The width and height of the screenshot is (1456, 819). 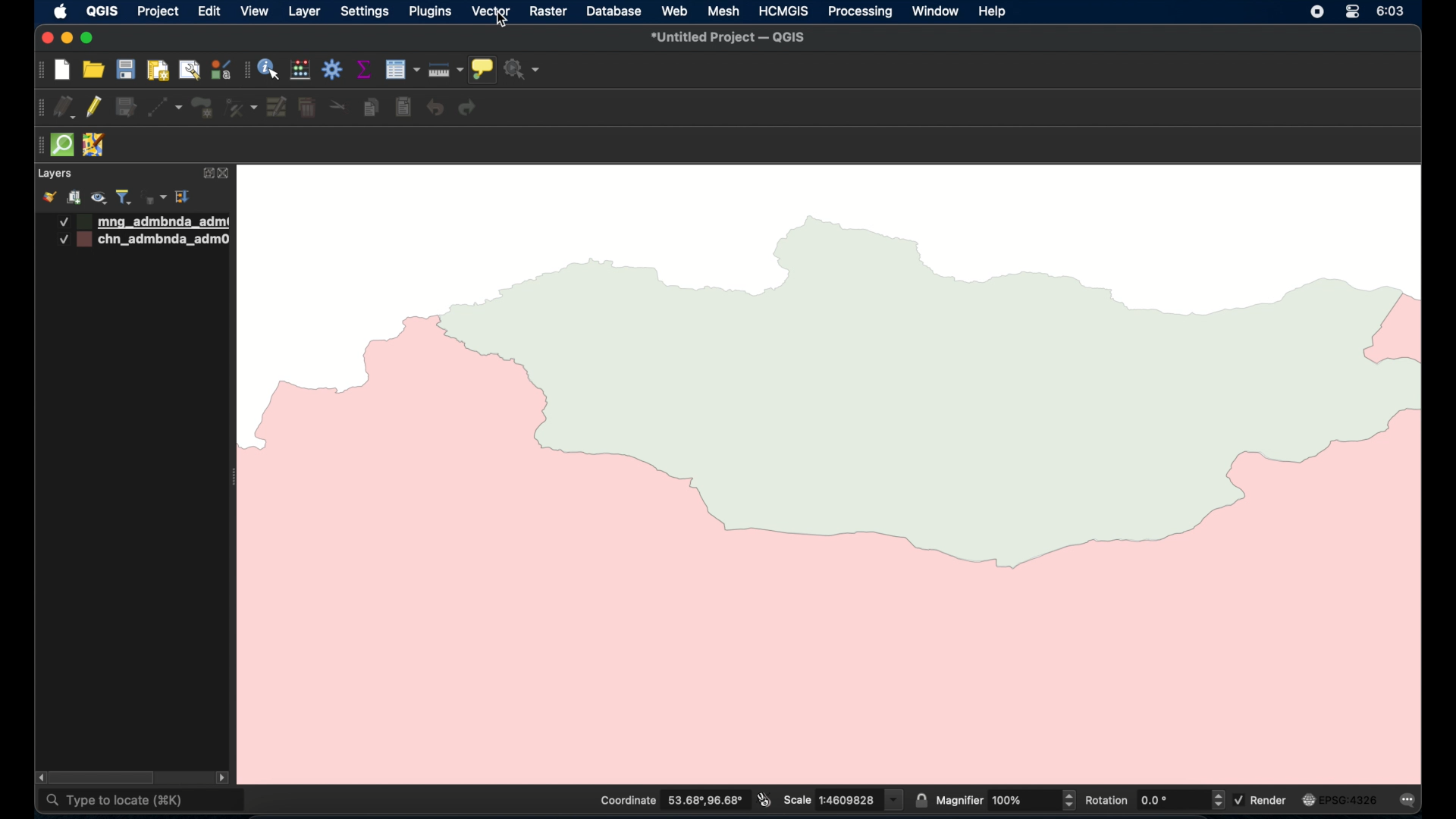 What do you see at coordinates (157, 13) in the screenshot?
I see `project` at bounding box center [157, 13].